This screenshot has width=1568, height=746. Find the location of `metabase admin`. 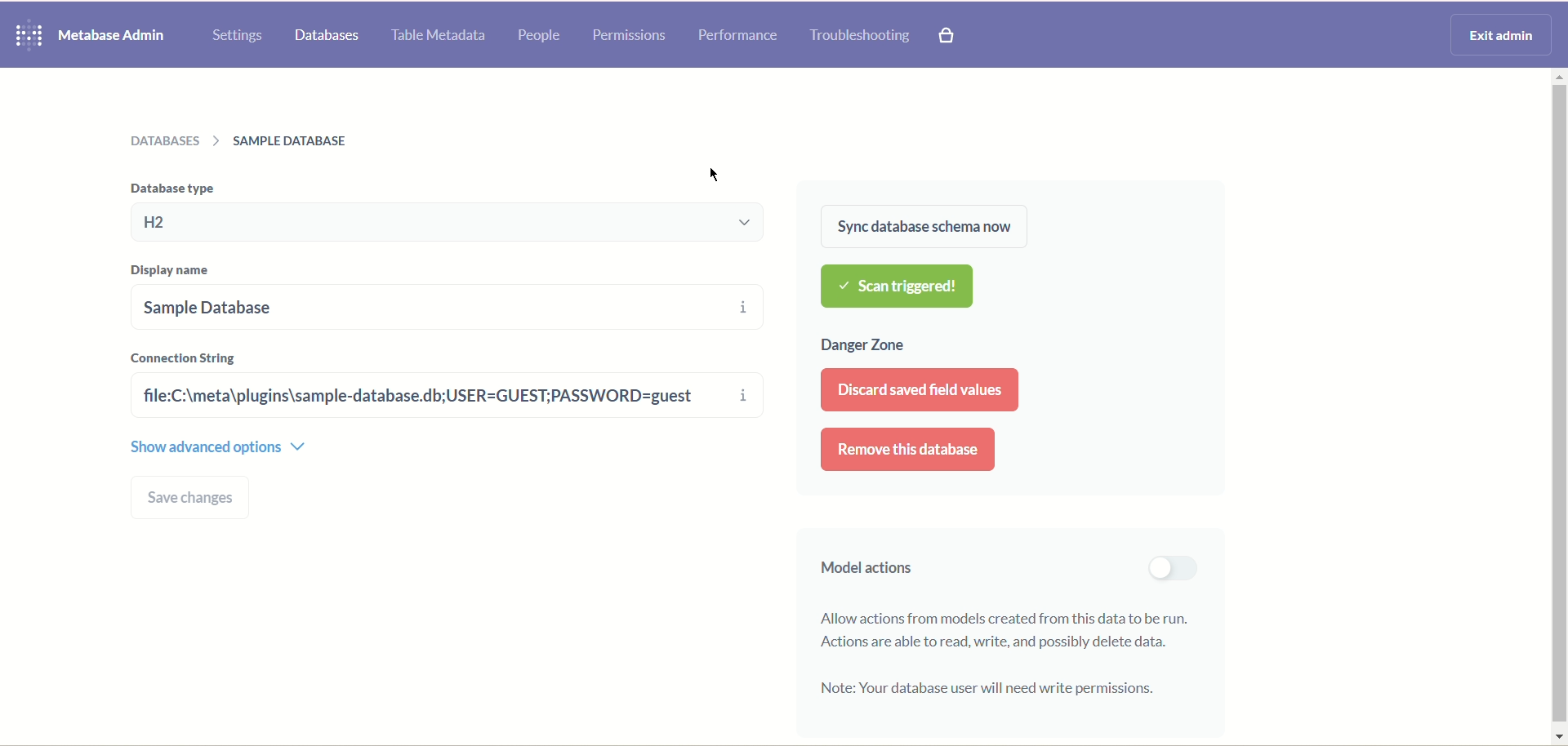

metabase admin is located at coordinates (114, 35).